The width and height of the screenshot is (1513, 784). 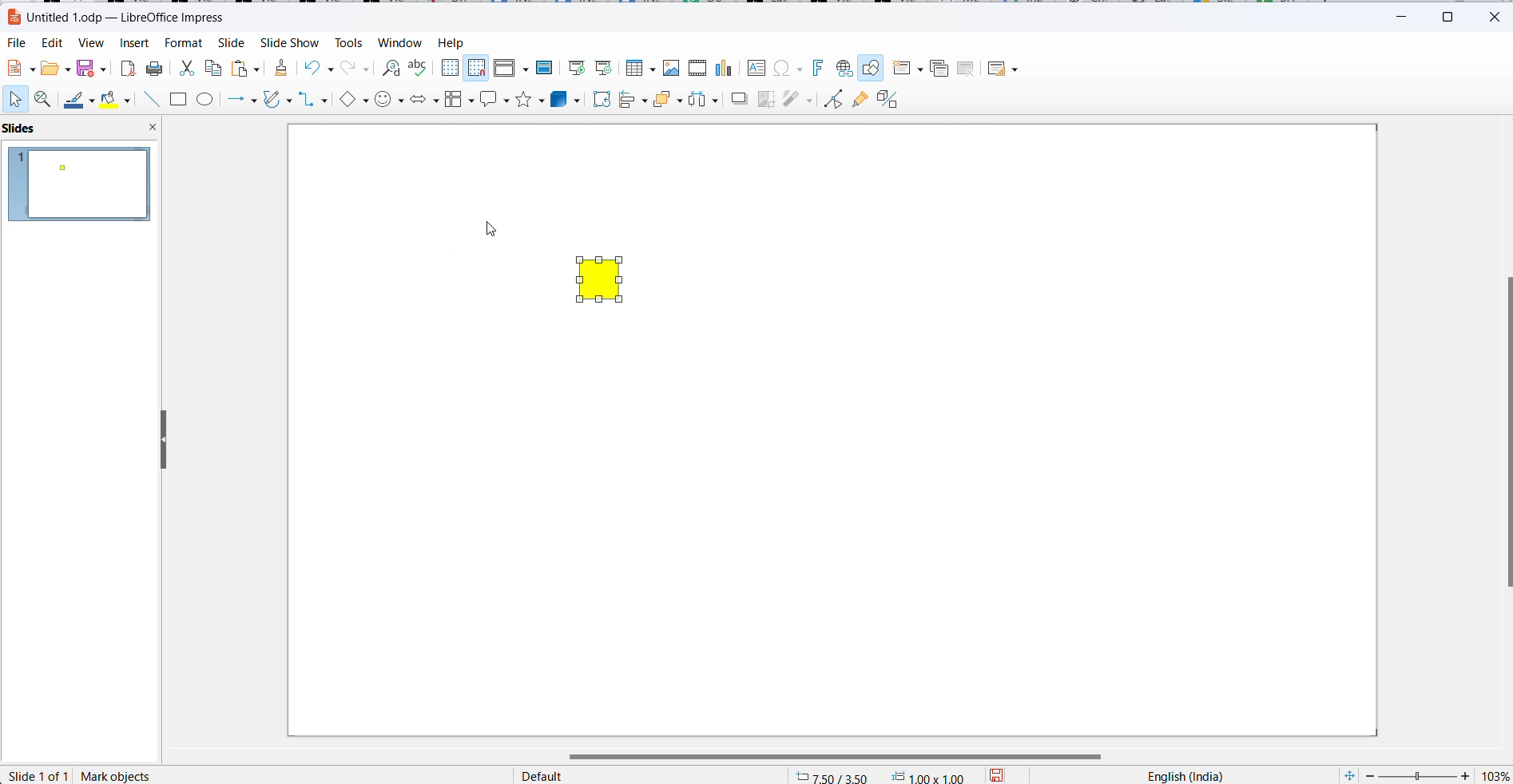 What do you see at coordinates (1406, 14) in the screenshot?
I see `minimize` at bounding box center [1406, 14].